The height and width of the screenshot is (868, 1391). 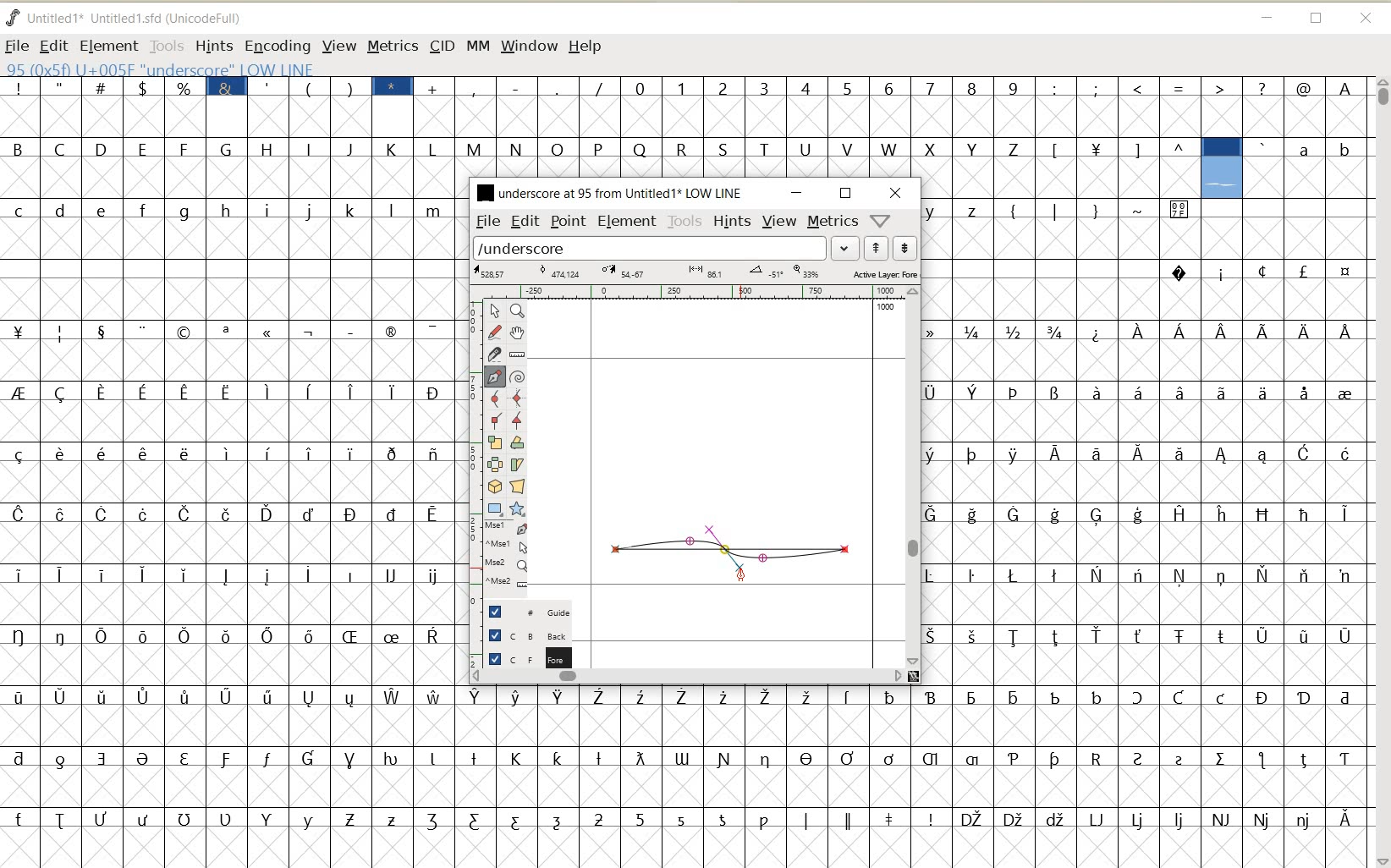 What do you see at coordinates (519, 332) in the screenshot?
I see `scroll by hand` at bounding box center [519, 332].